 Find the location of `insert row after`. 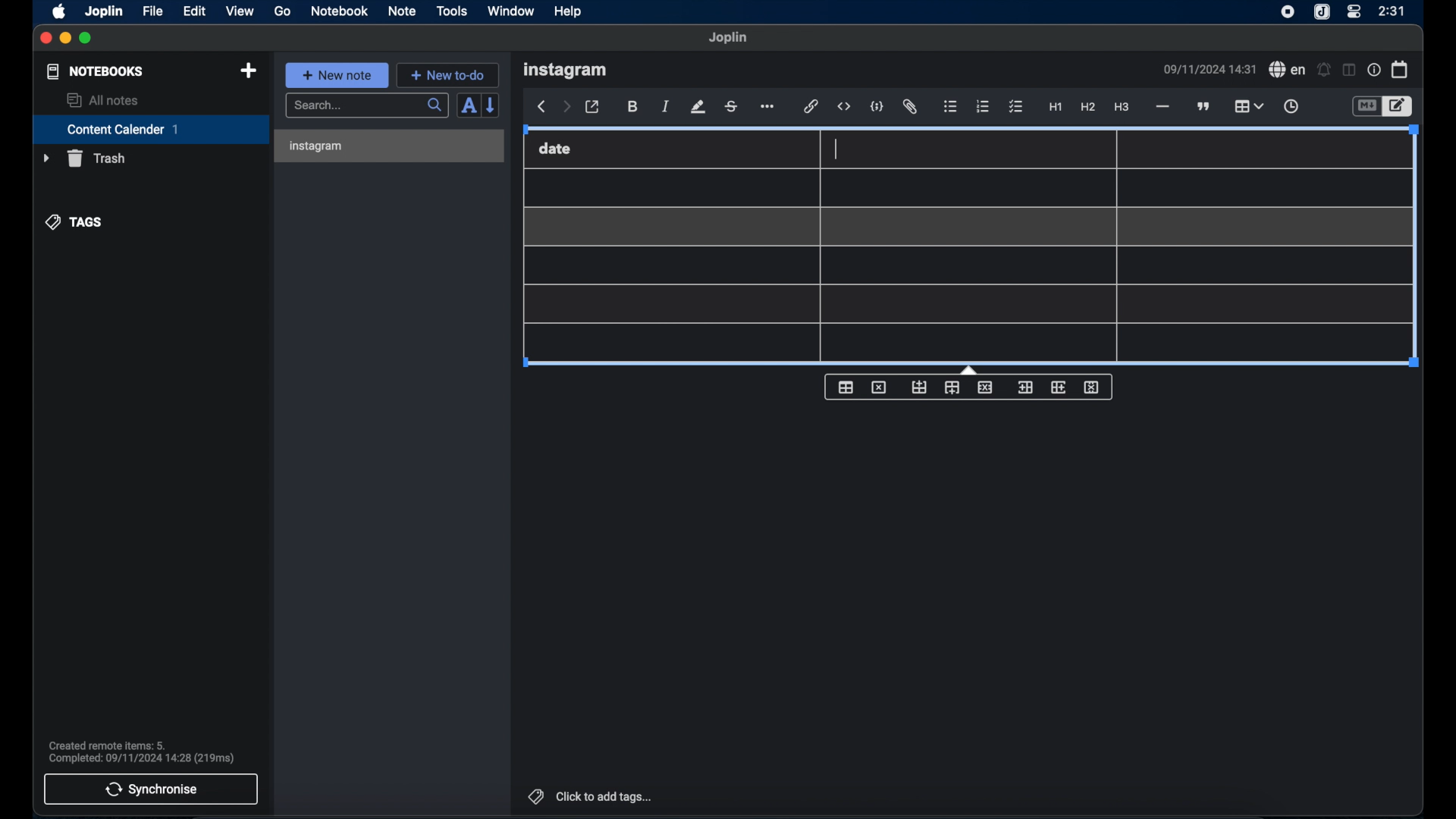

insert row after is located at coordinates (952, 388).